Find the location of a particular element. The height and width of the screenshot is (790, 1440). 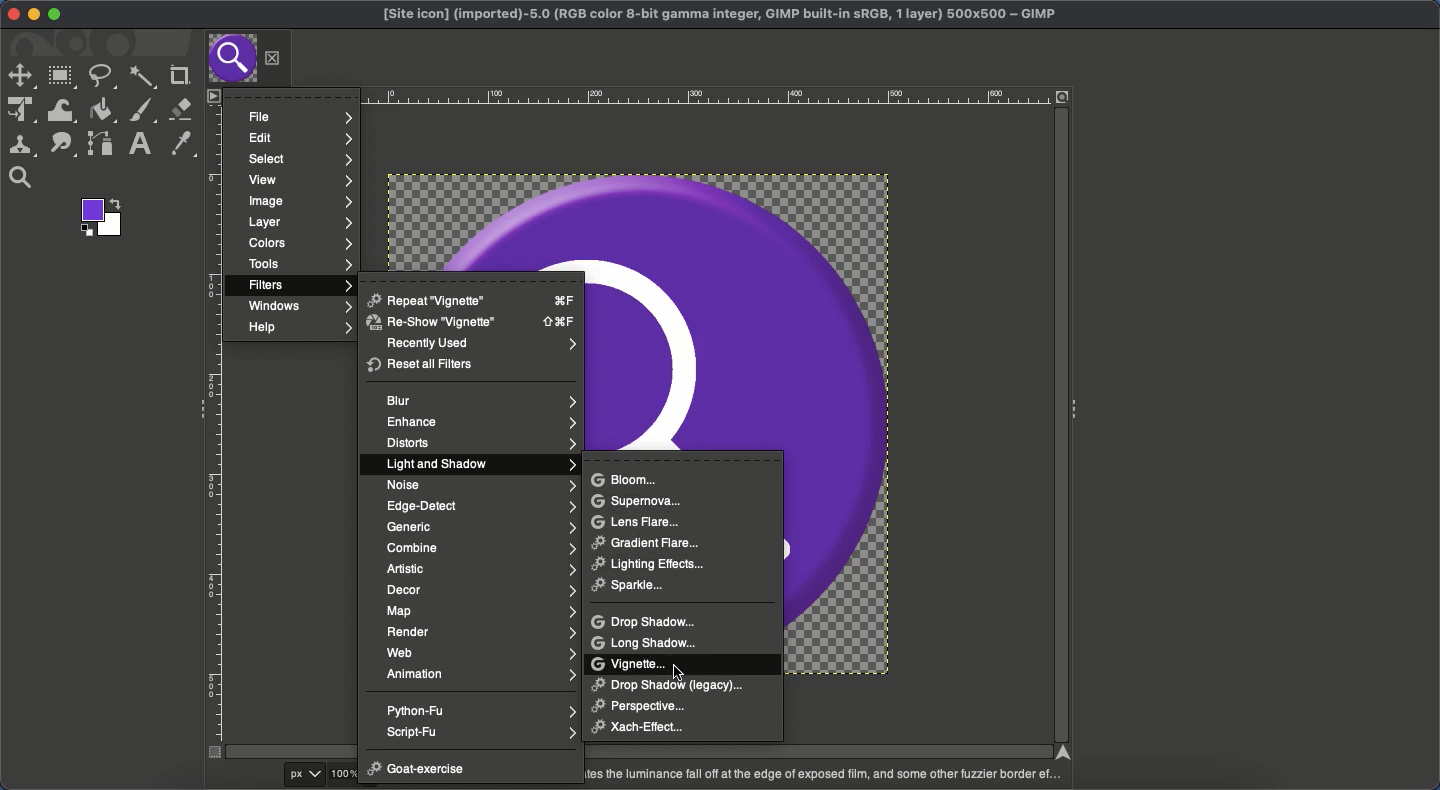

Blue is located at coordinates (482, 400).